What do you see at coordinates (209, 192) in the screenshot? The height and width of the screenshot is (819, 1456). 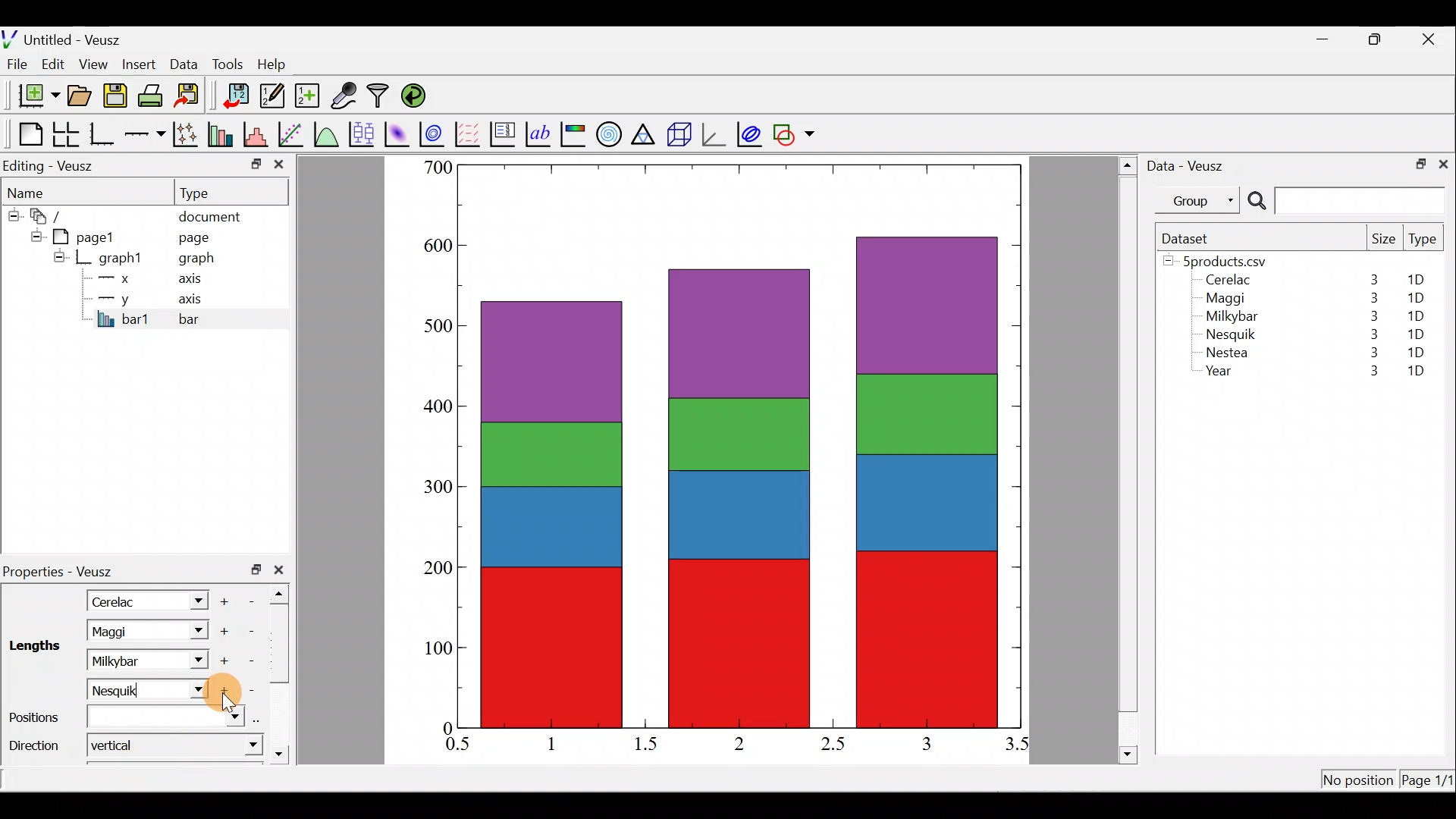 I see `Type` at bounding box center [209, 192].